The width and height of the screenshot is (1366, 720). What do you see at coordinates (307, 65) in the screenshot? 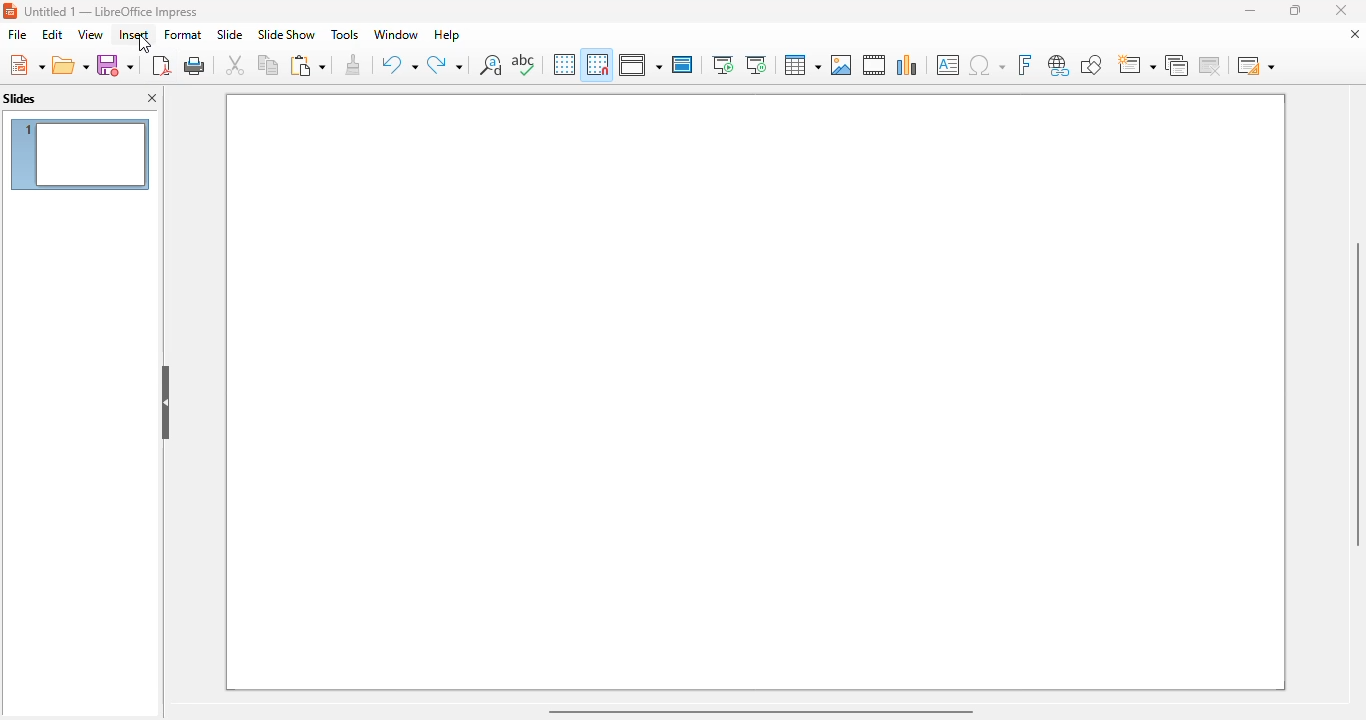
I see `paste` at bounding box center [307, 65].